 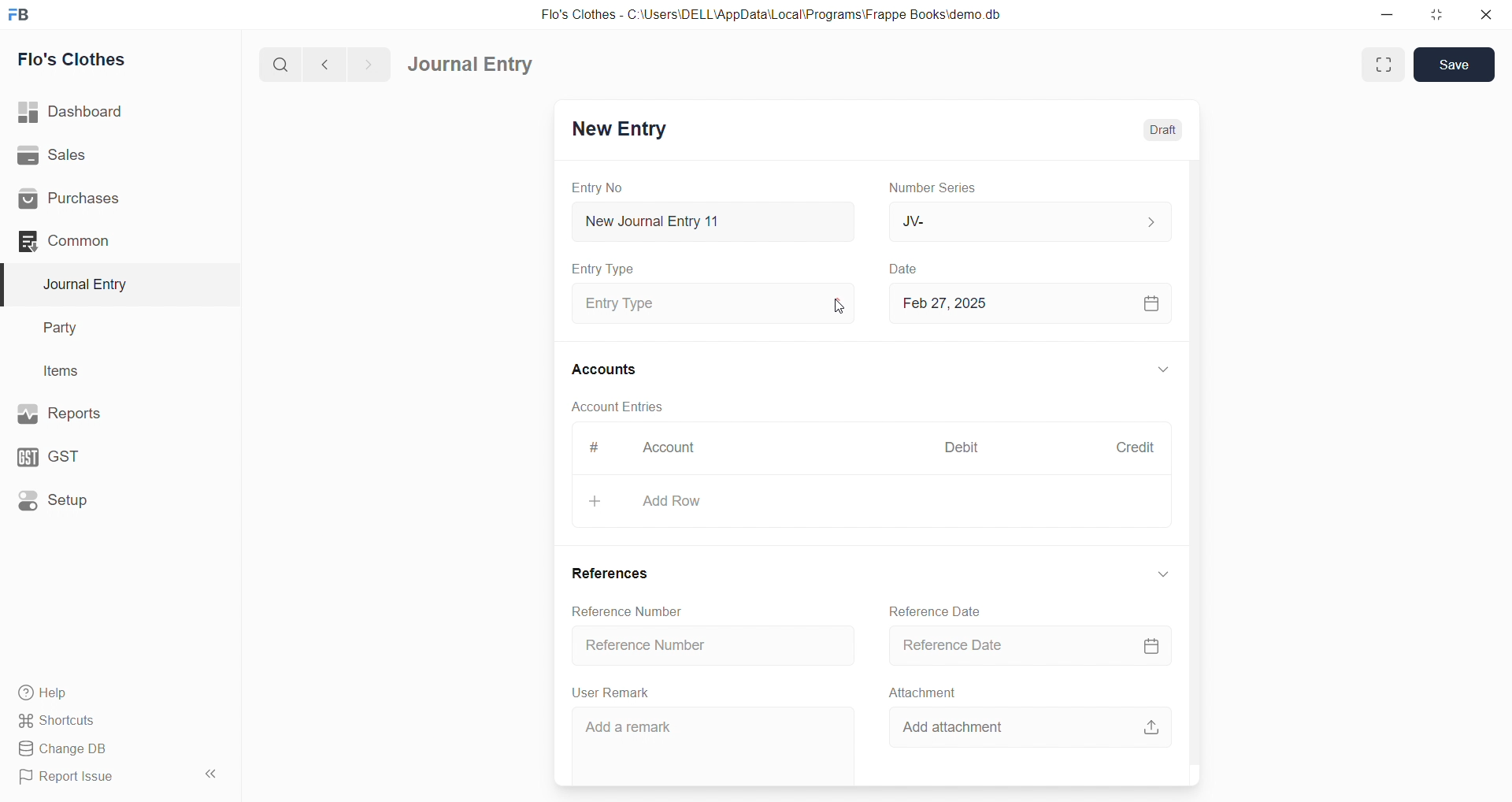 What do you see at coordinates (93, 414) in the screenshot?
I see `Reports` at bounding box center [93, 414].